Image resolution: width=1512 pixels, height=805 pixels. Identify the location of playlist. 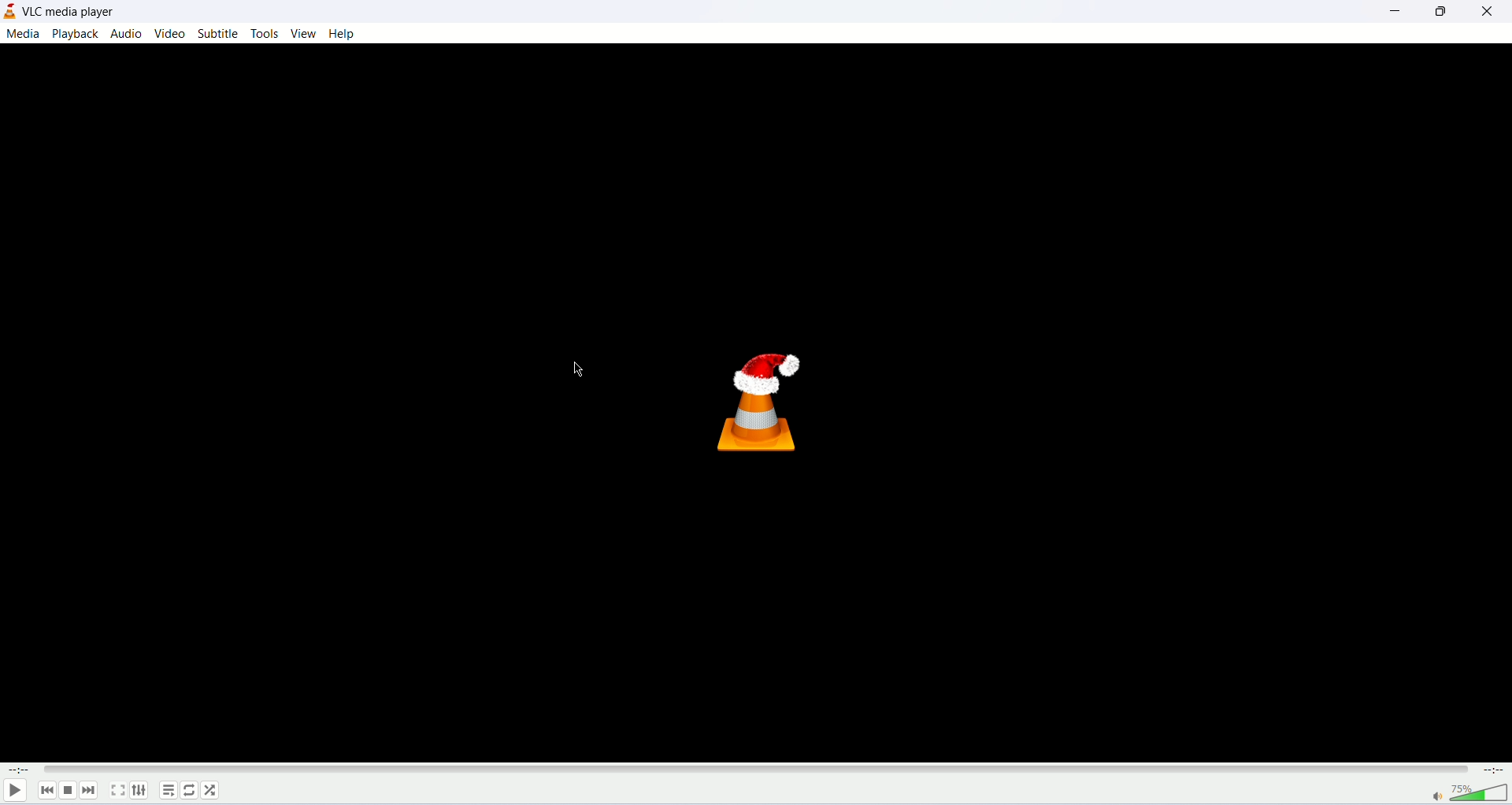
(167, 790).